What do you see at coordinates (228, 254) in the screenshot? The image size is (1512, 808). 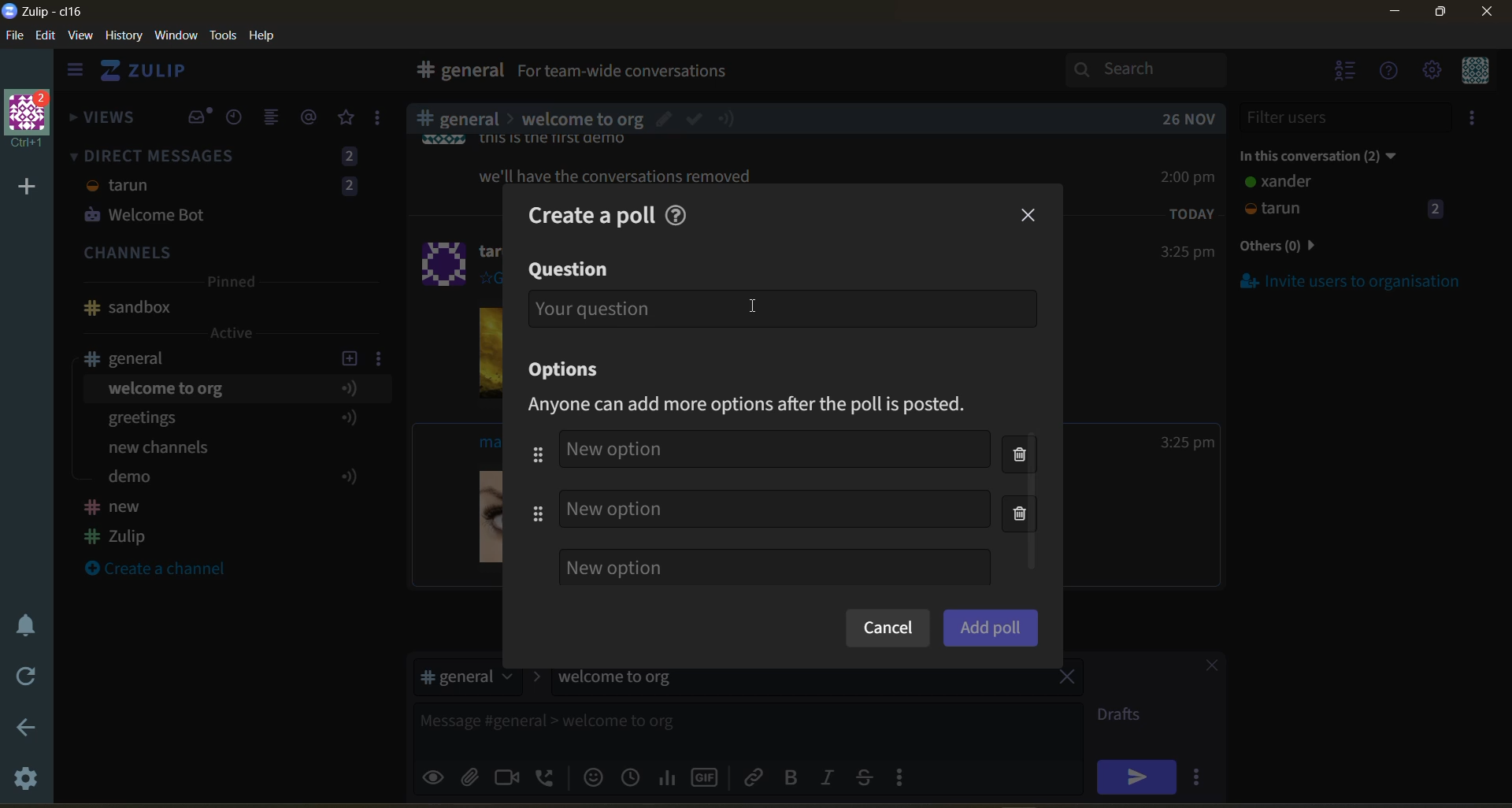 I see `channels` at bounding box center [228, 254].